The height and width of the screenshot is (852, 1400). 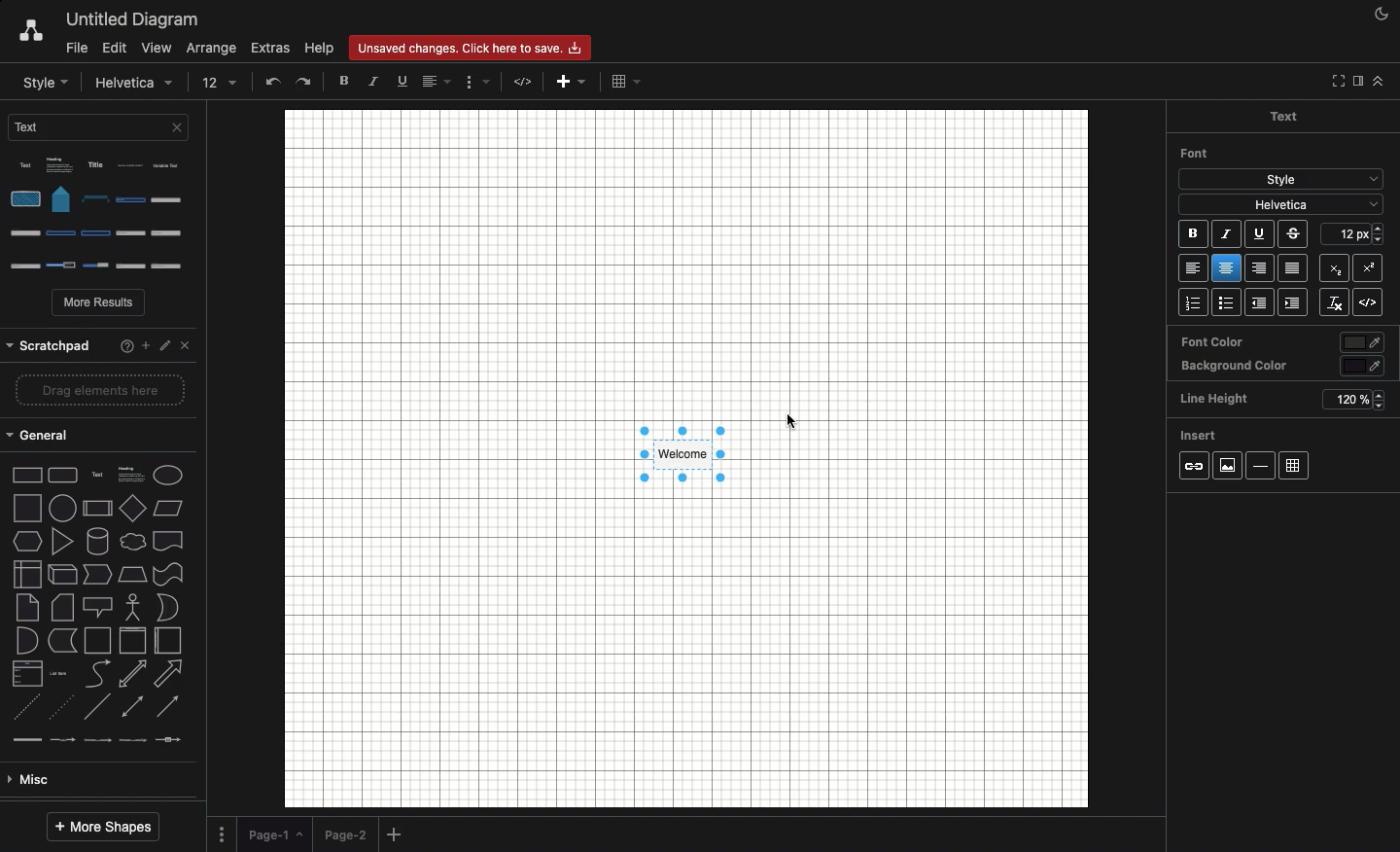 I want to click on Advanced, so click(x=94, y=639).